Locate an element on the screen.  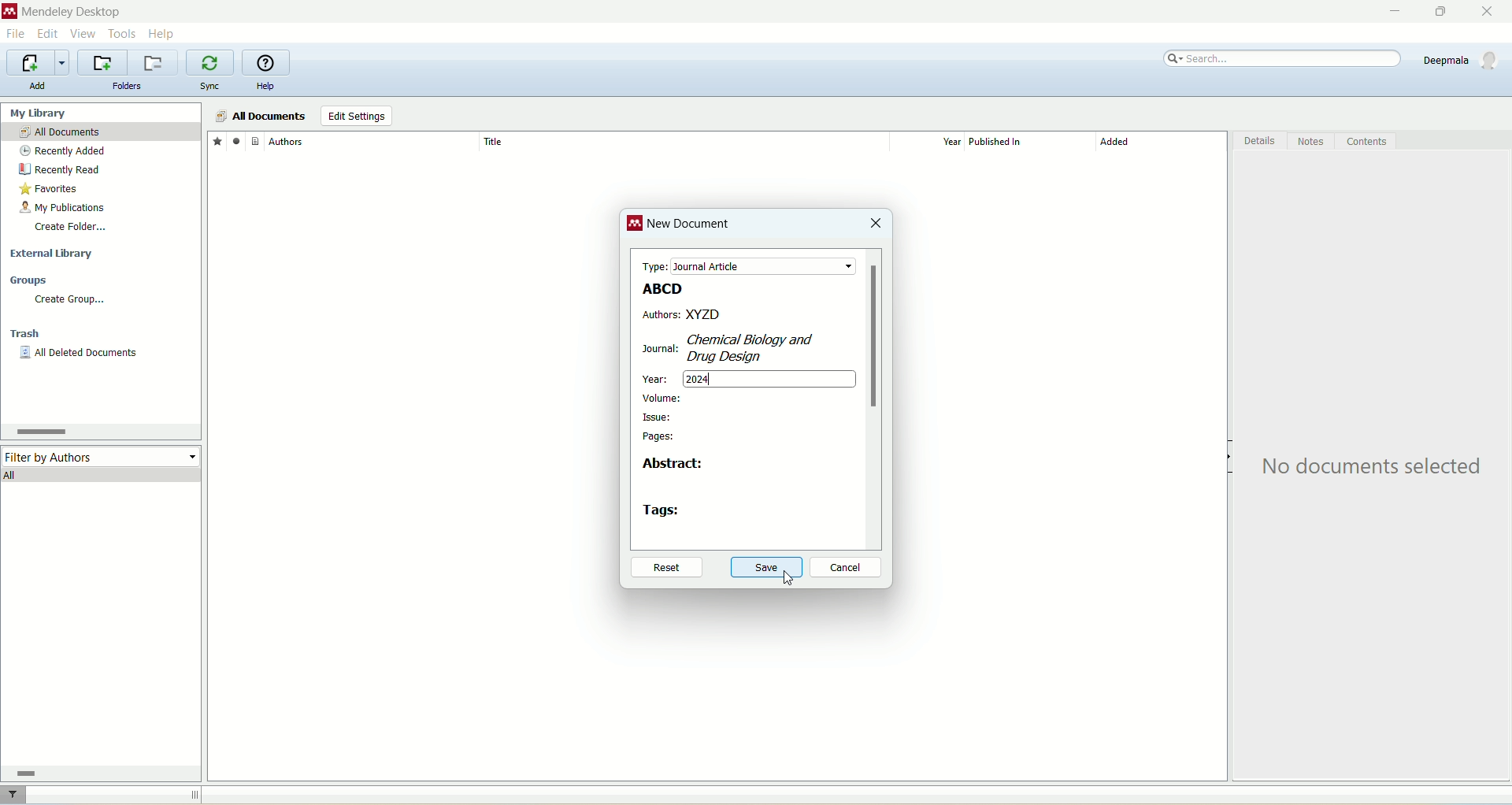
vertical scroll bar is located at coordinates (876, 399).